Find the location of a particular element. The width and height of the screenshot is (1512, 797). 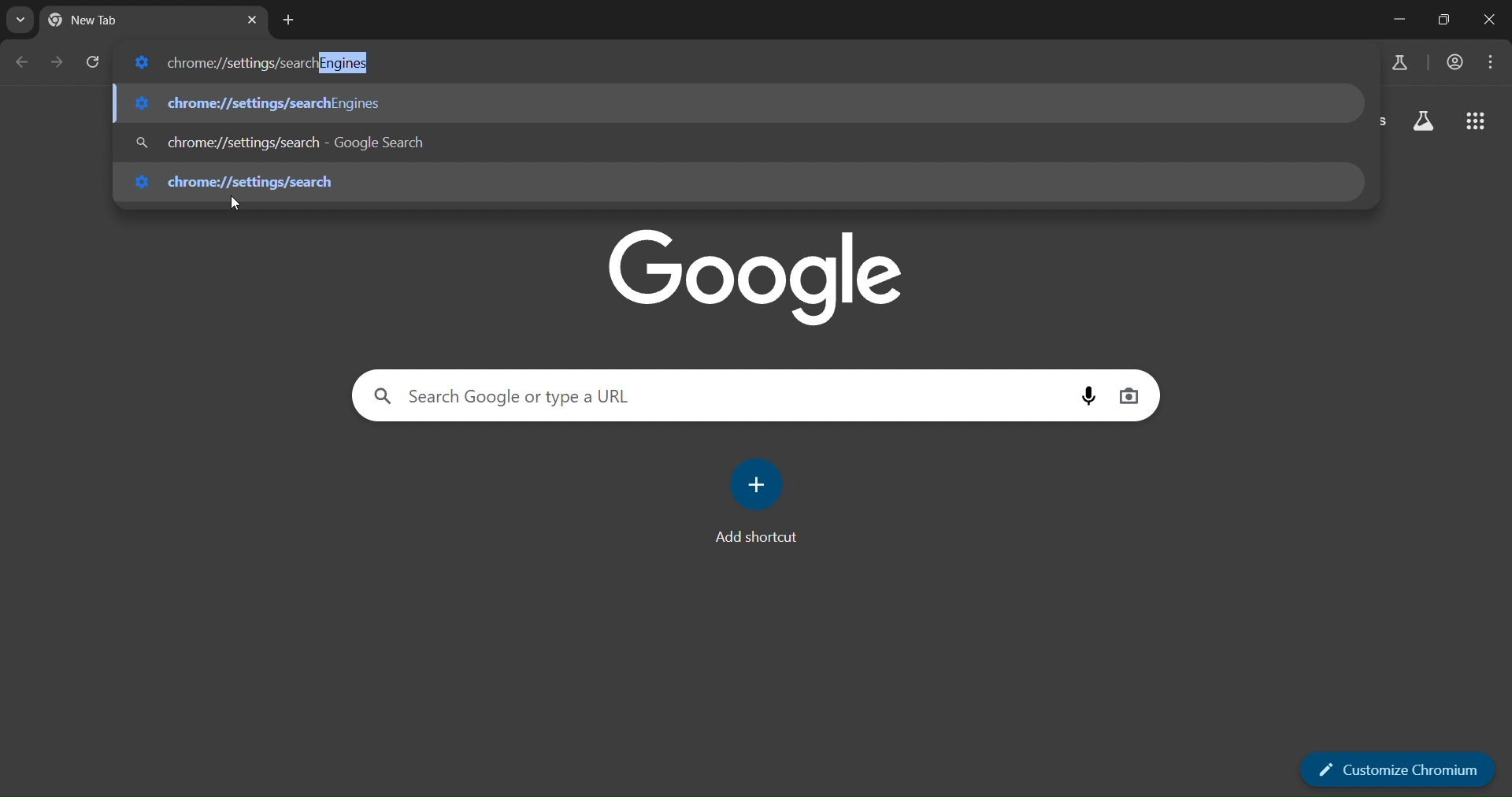

add shortcut is located at coordinates (754, 502).